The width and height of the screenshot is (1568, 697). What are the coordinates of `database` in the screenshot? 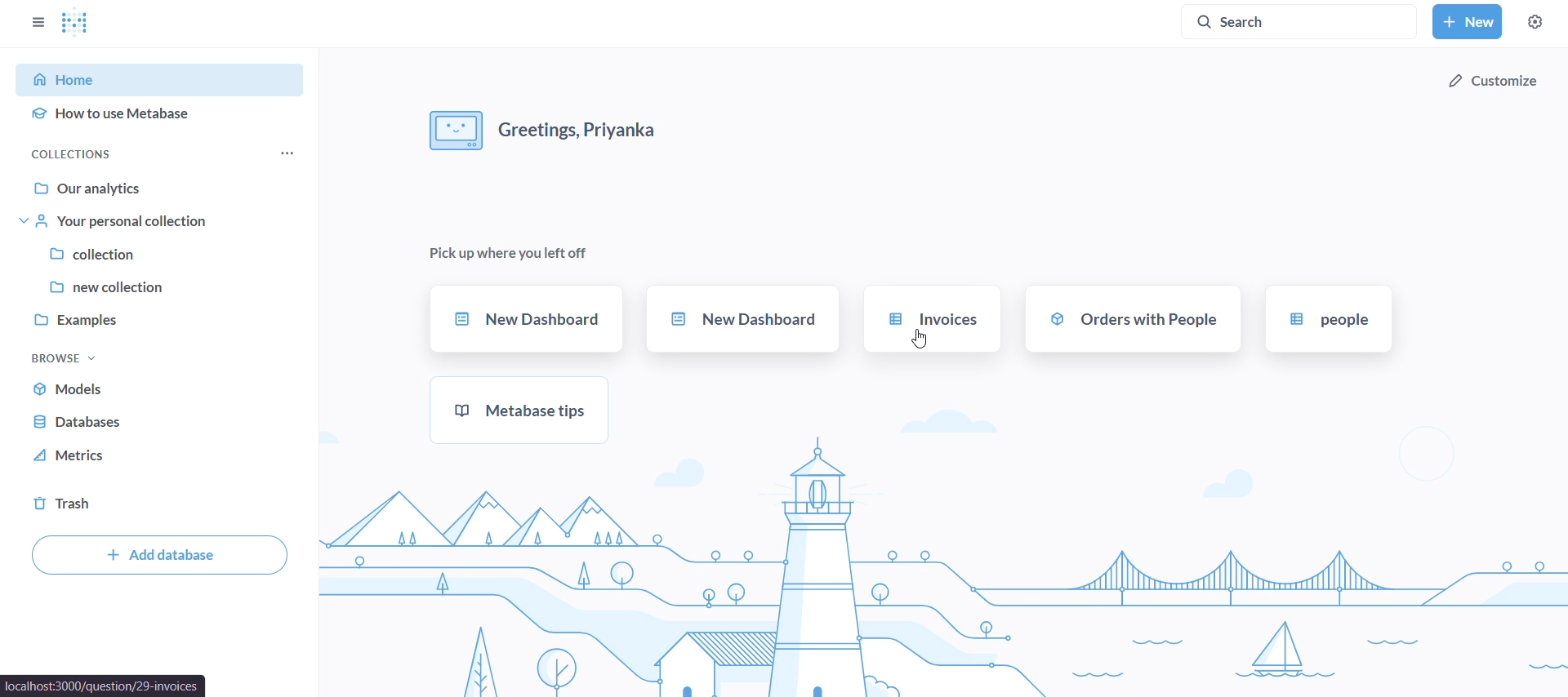 It's located at (73, 422).